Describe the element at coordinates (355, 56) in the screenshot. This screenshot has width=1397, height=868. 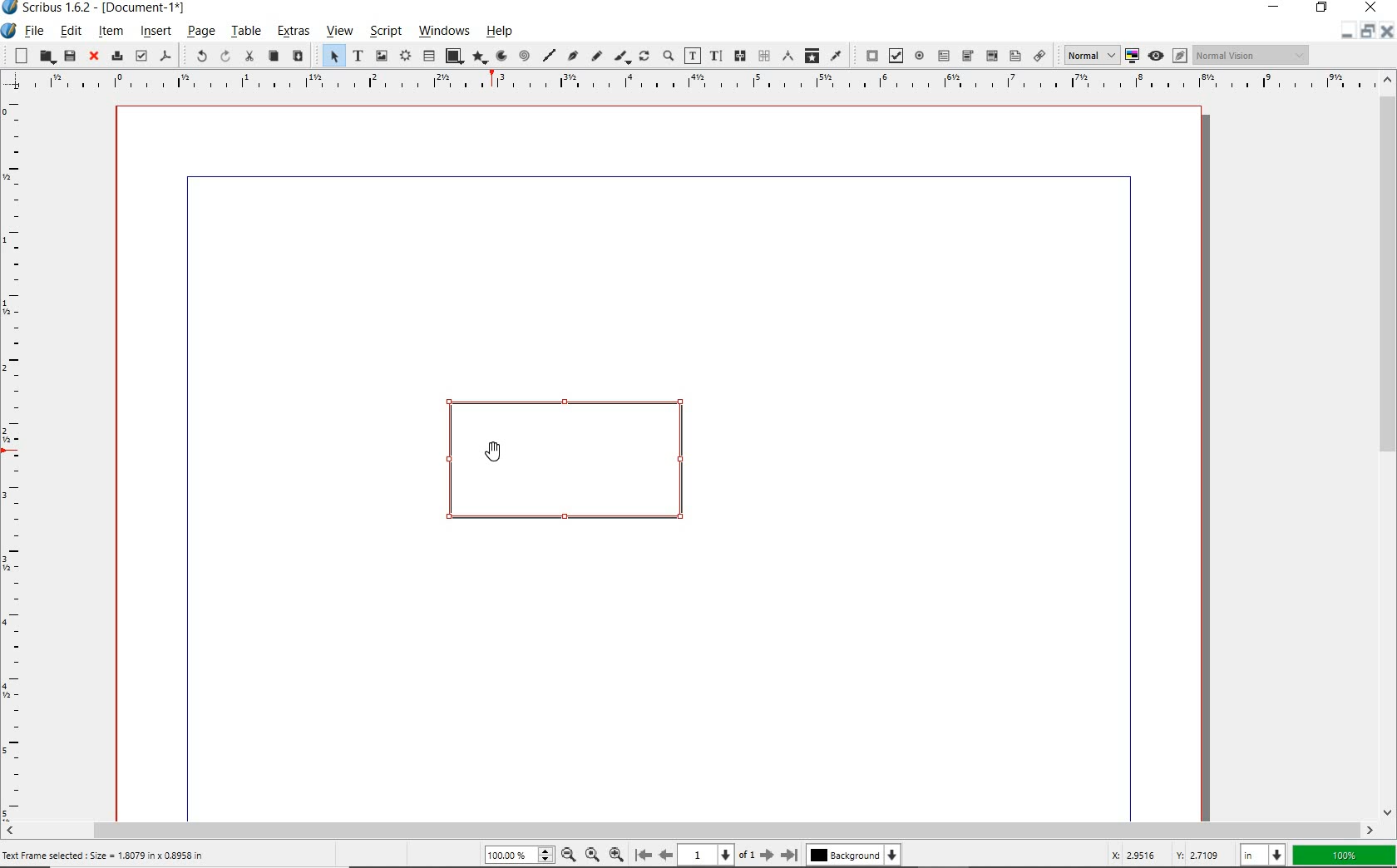
I see `text frame` at that location.